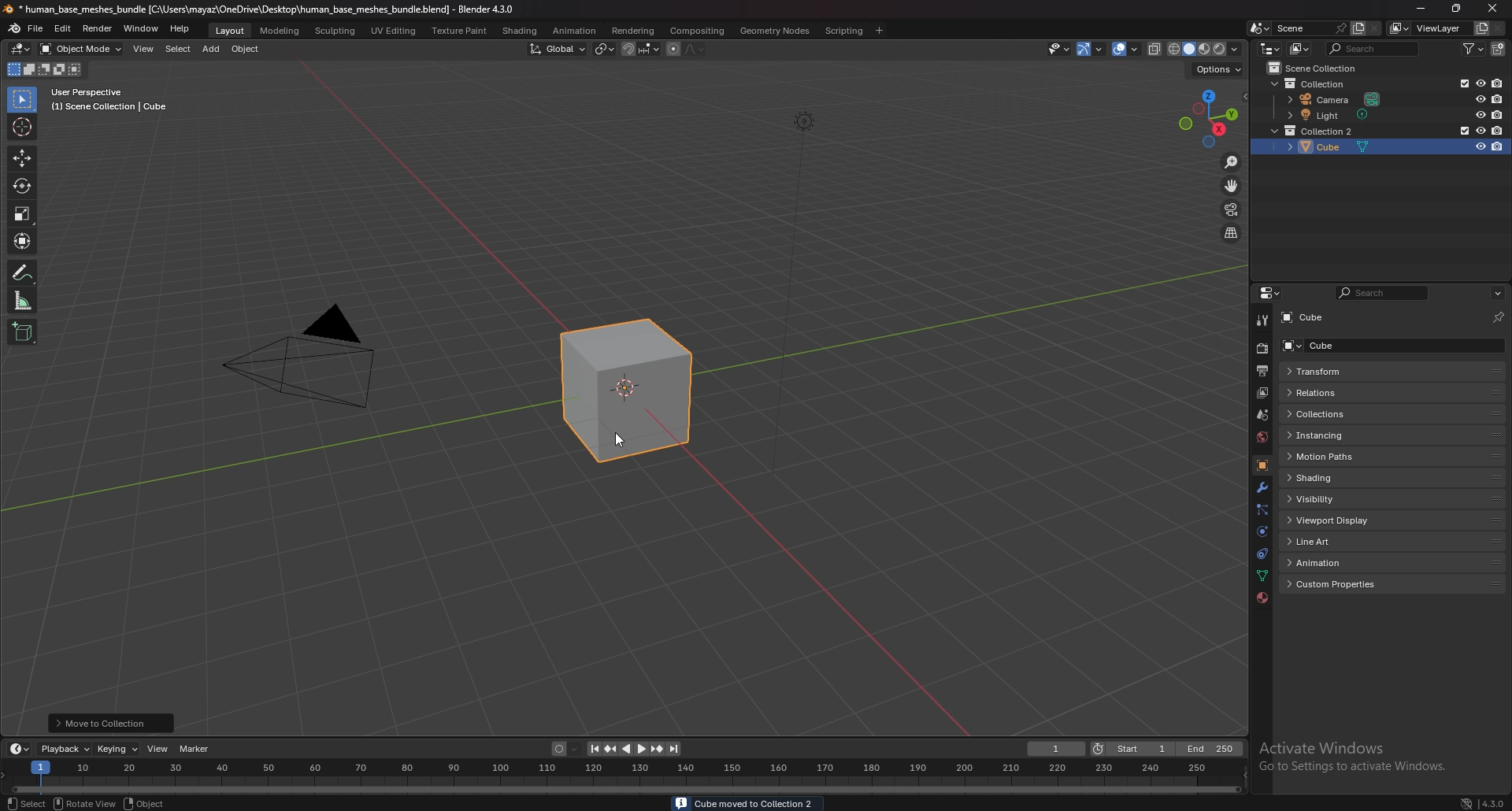 The image size is (1512, 811). Describe the element at coordinates (1332, 499) in the screenshot. I see `visibility` at that location.